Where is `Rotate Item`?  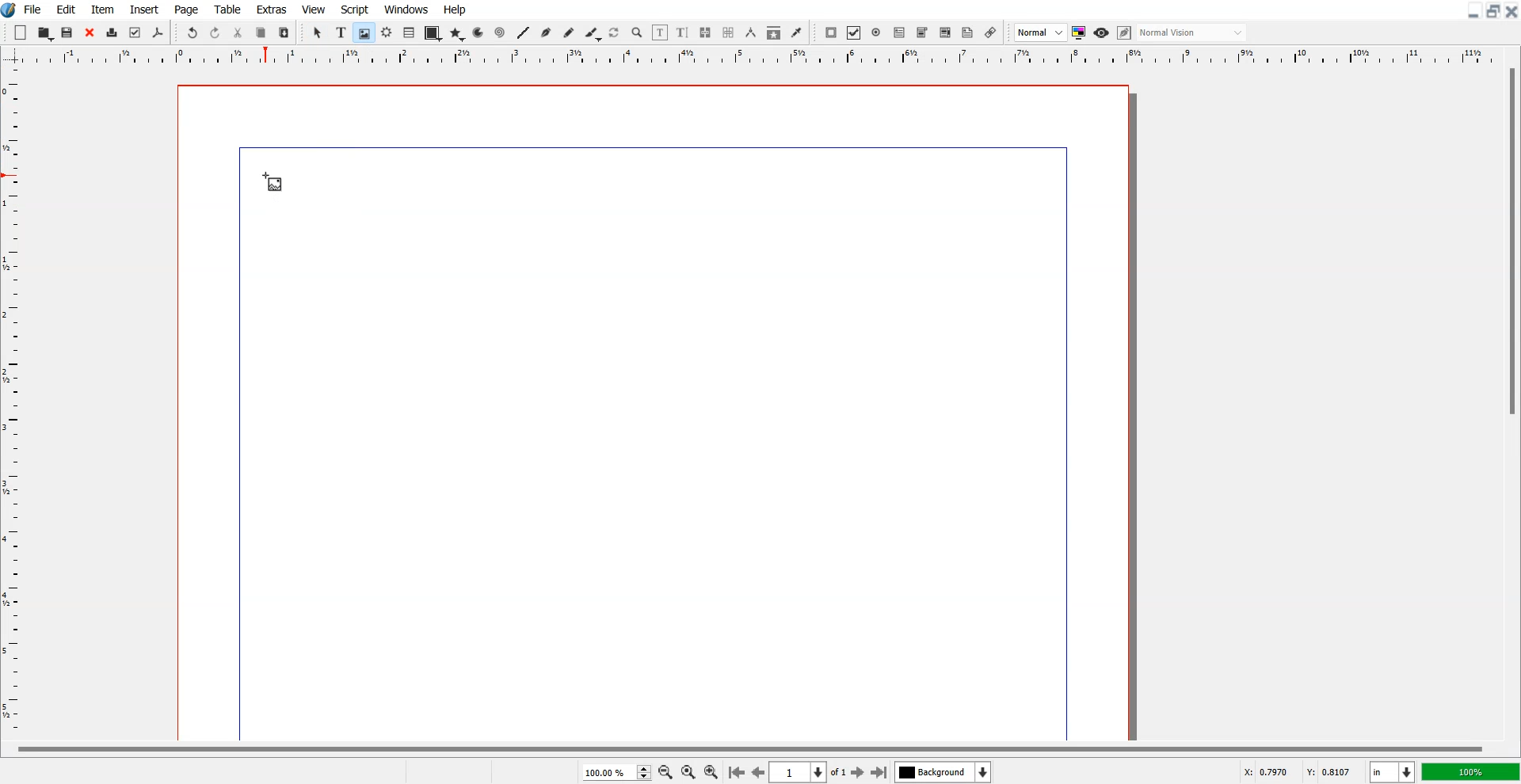 Rotate Item is located at coordinates (615, 33).